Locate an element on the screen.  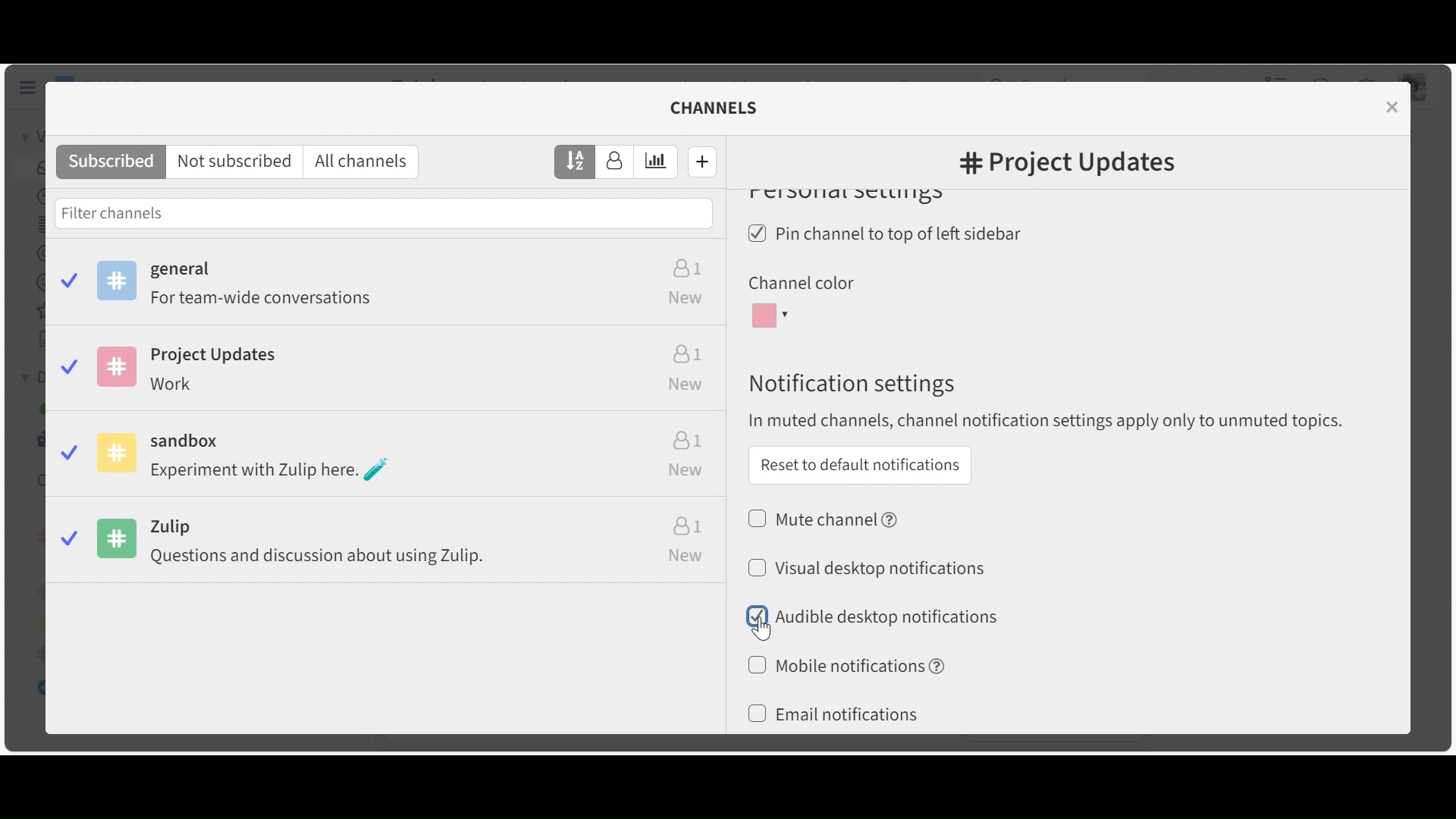
Cursor is located at coordinates (761, 628).